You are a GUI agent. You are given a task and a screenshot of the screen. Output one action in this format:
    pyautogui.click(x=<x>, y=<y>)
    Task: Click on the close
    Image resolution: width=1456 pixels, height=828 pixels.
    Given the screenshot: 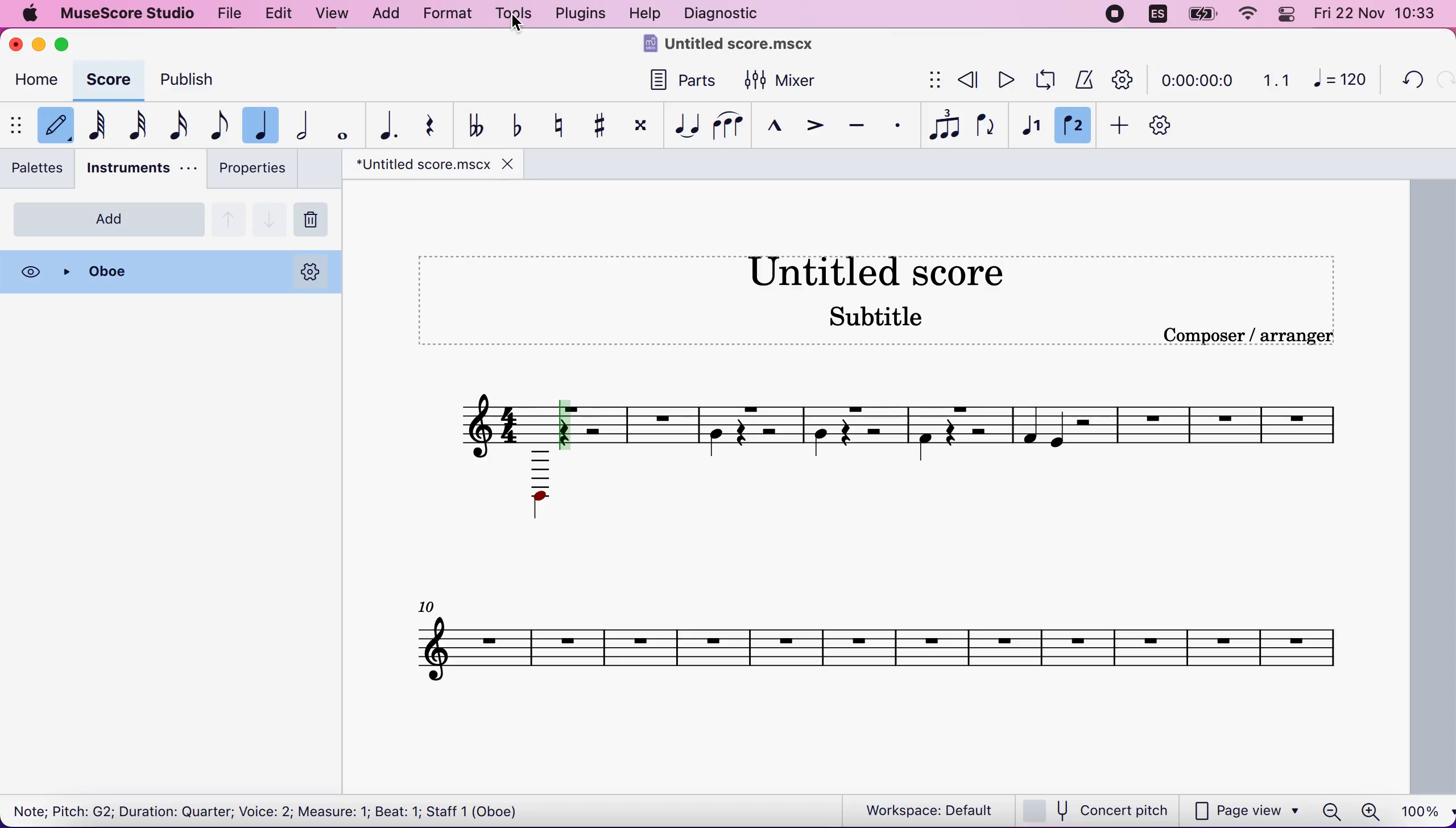 What is the action you would take?
    pyautogui.click(x=509, y=164)
    